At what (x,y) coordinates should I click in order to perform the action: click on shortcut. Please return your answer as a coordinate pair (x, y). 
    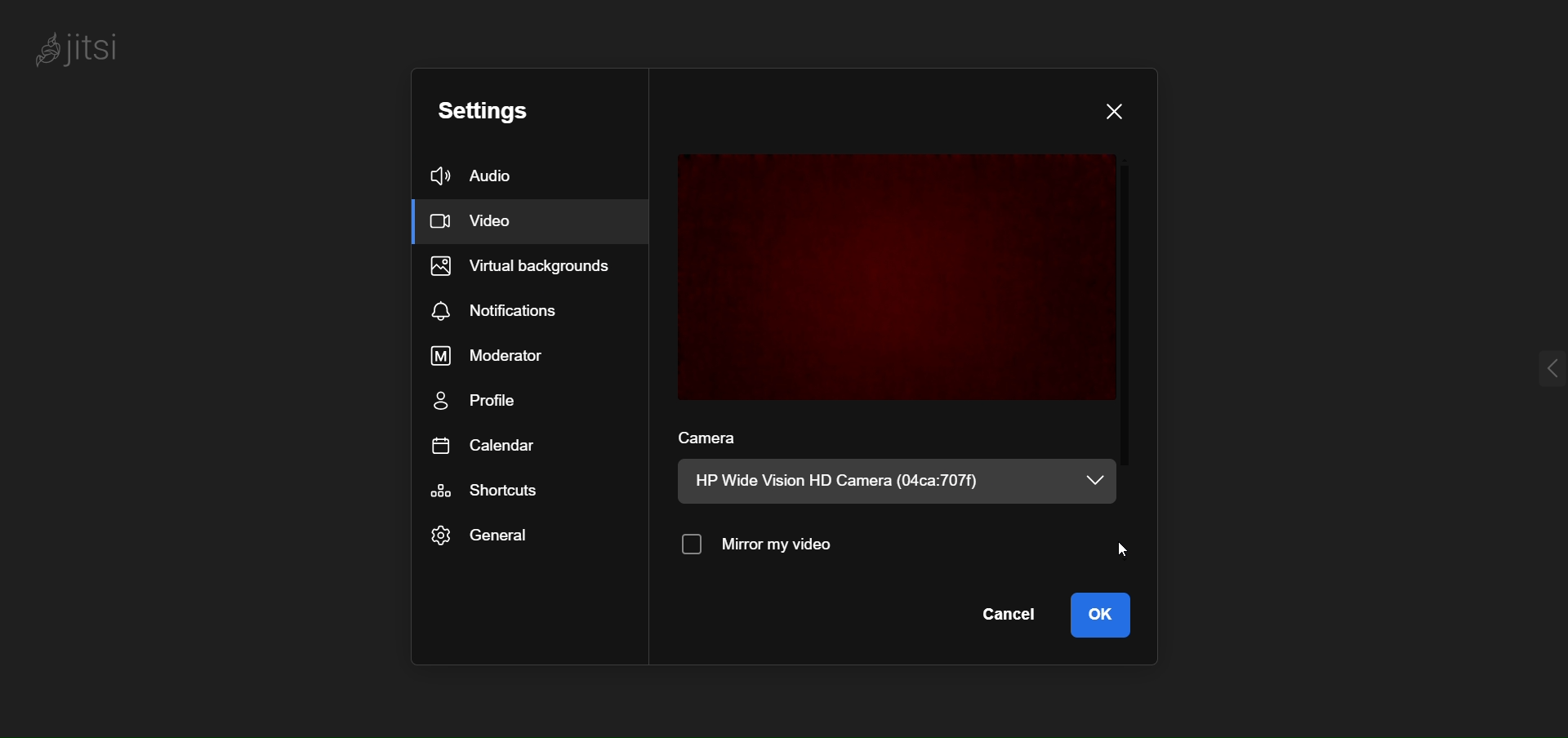
    Looking at the image, I should click on (488, 491).